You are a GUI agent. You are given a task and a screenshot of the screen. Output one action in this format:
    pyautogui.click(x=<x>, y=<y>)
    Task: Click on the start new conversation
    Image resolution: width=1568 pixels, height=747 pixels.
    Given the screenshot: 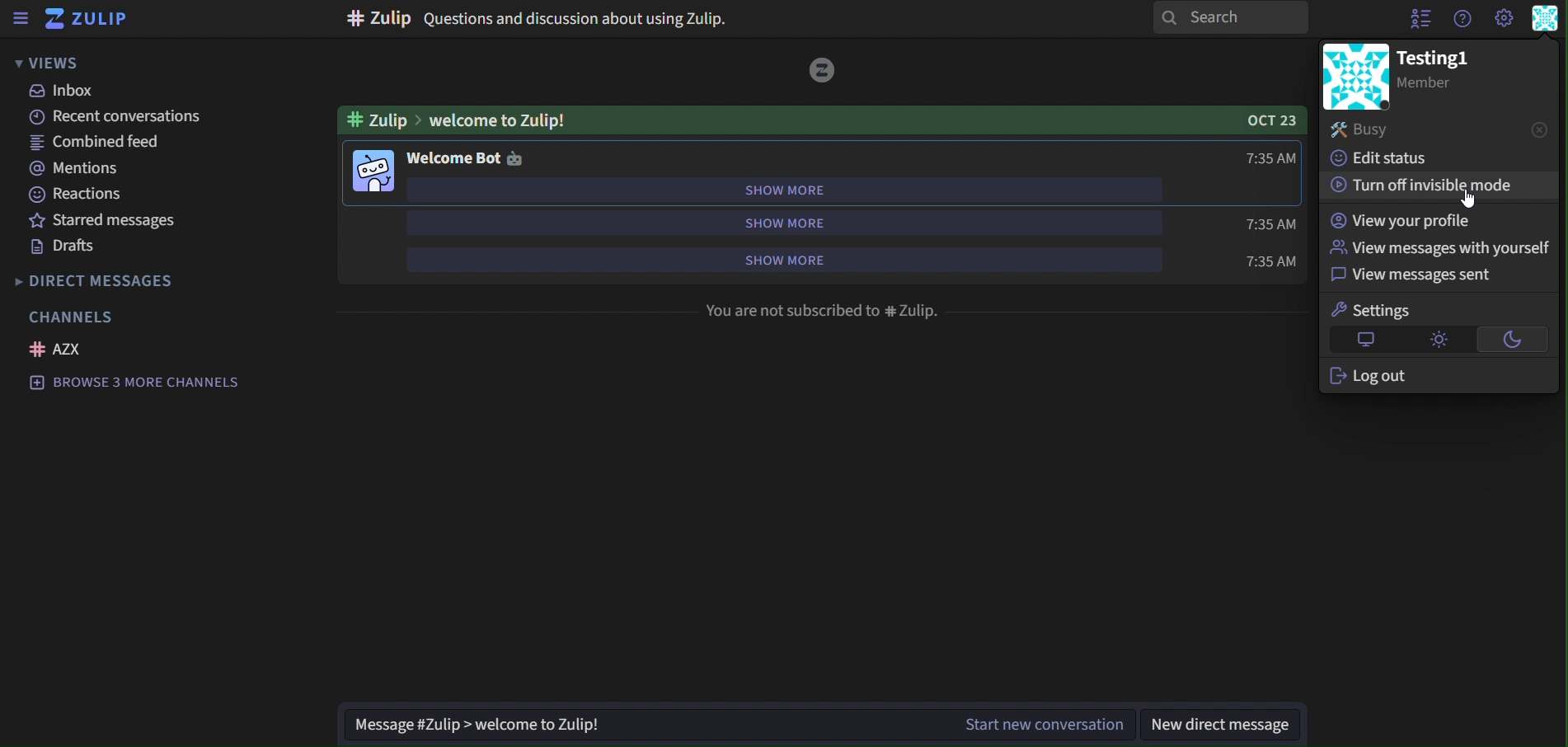 What is the action you would take?
    pyautogui.click(x=739, y=726)
    